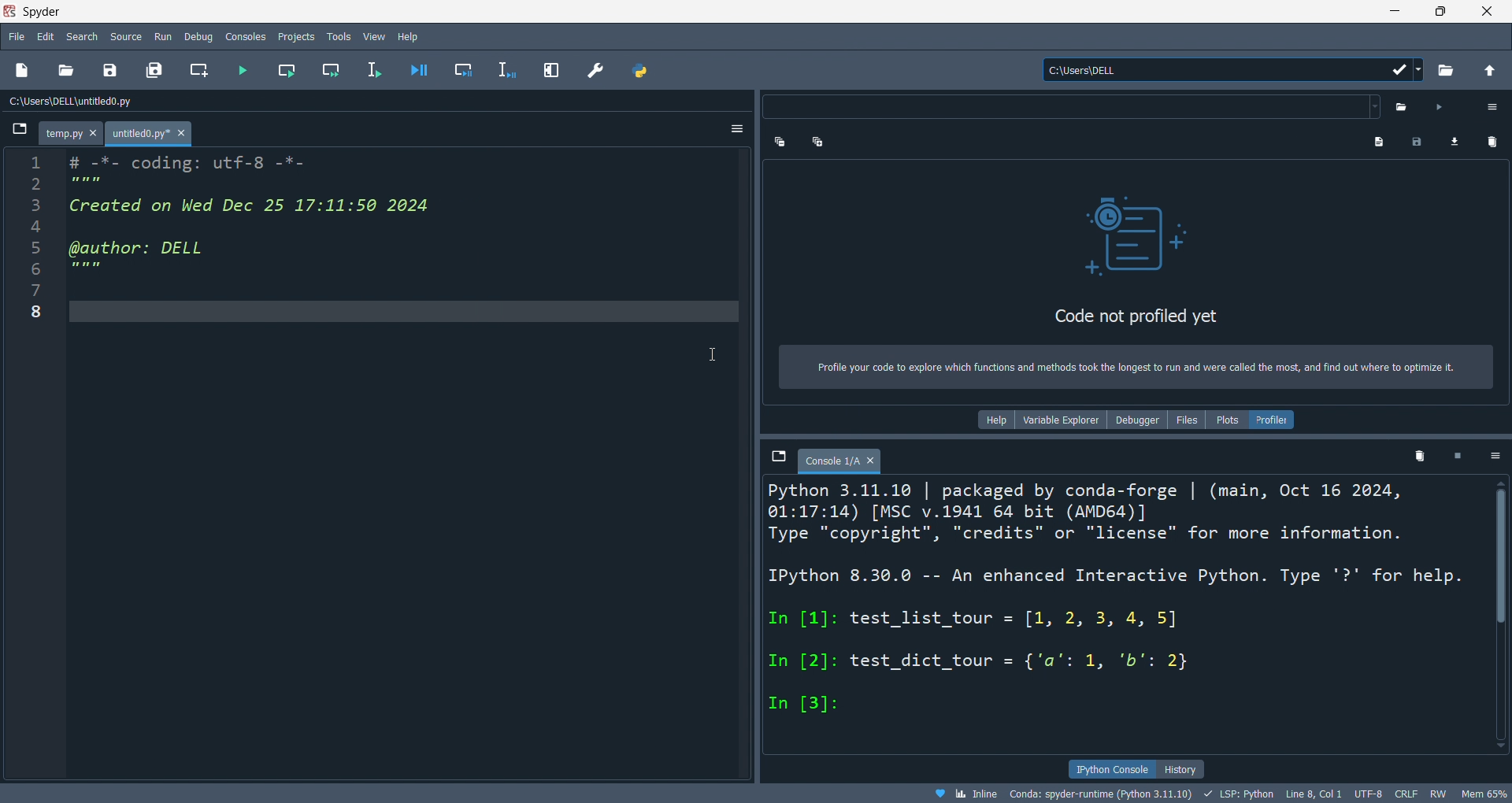  I want to click on debugger, so click(1138, 420).